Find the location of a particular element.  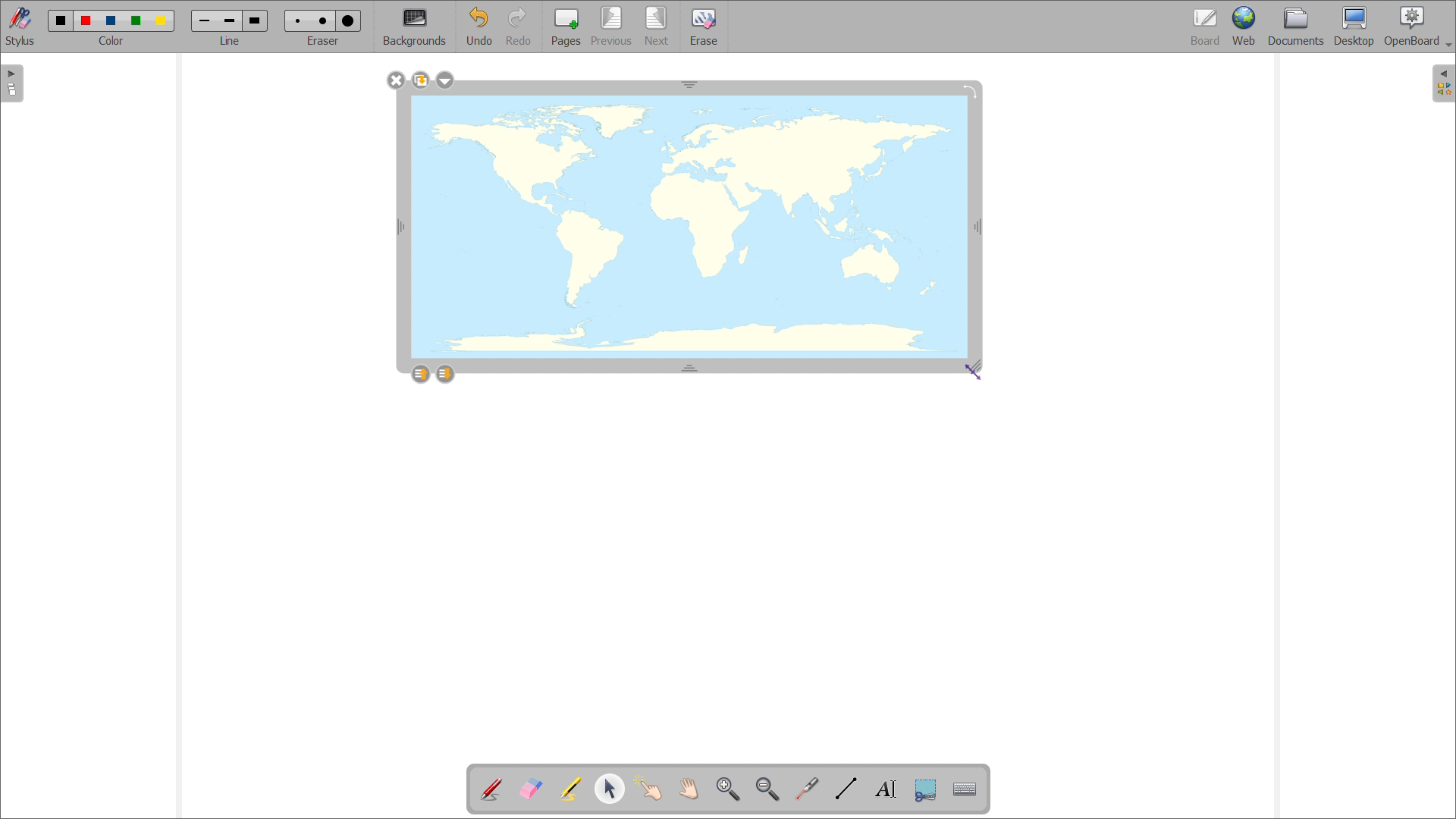

draw lines is located at coordinates (847, 789).